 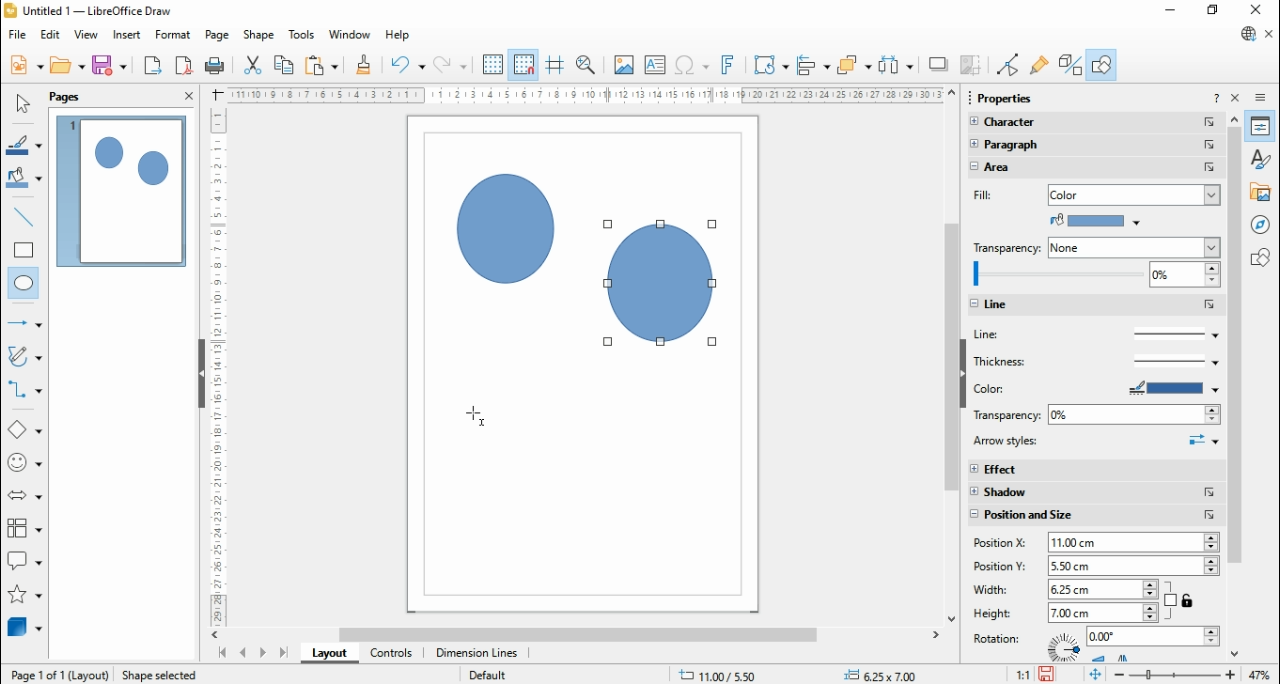 What do you see at coordinates (126, 36) in the screenshot?
I see `insert` at bounding box center [126, 36].